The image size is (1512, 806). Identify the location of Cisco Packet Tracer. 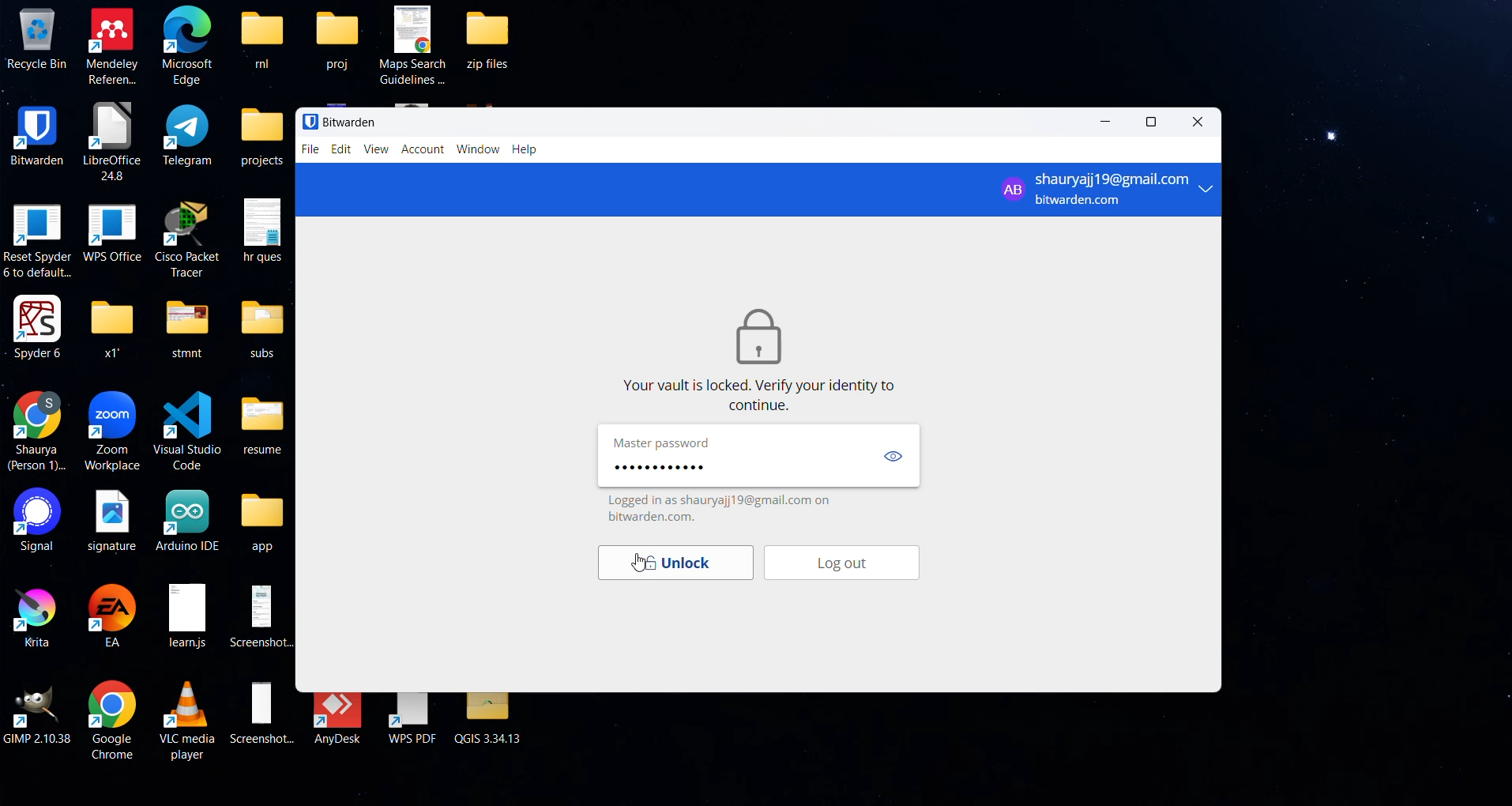
(187, 236).